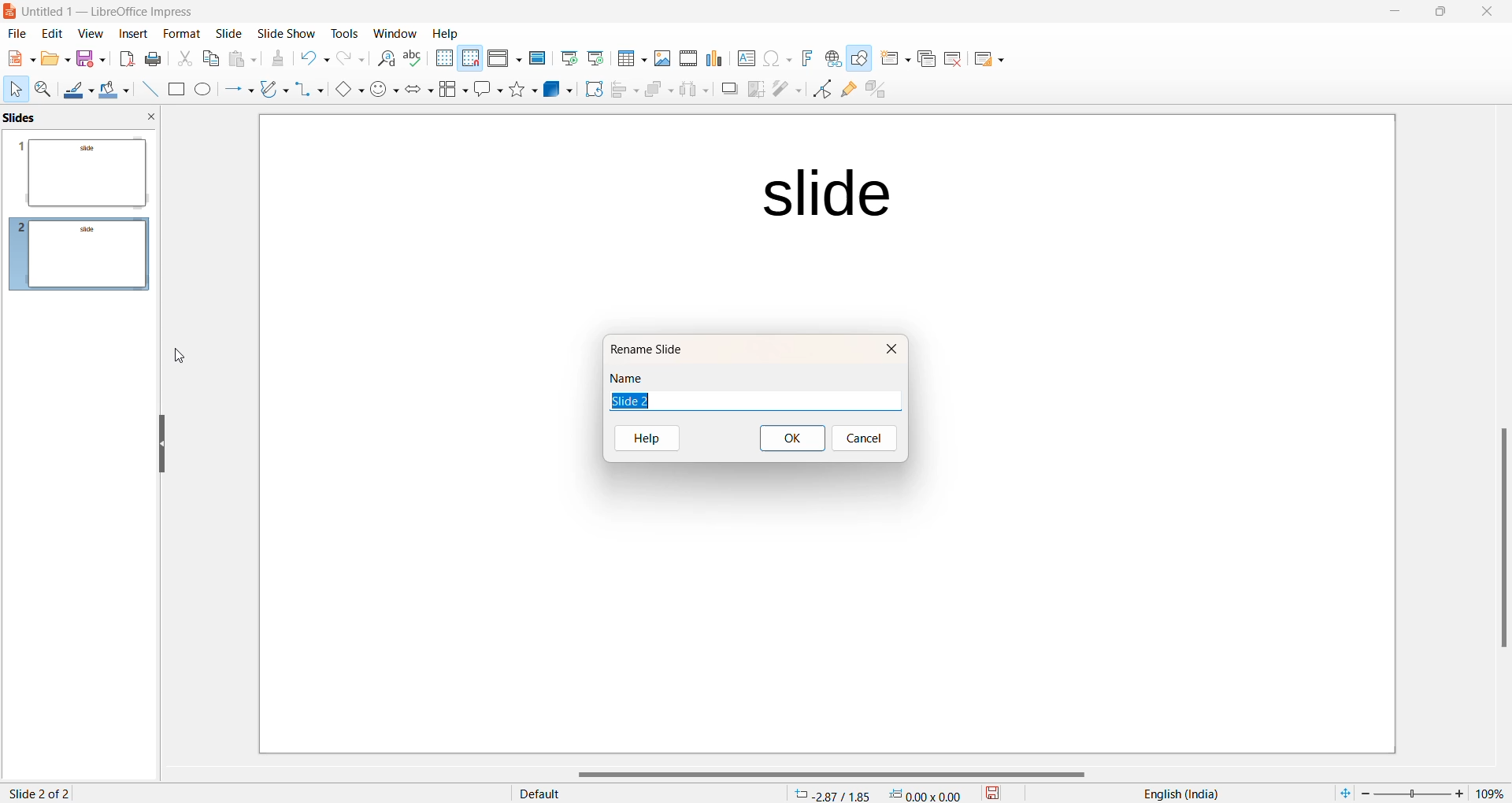 Image resolution: width=1512 pixels, height=803 pixels. Describe the element at coordinates (471, 58) in the screenshot. I see `Snap to grid` at that location.